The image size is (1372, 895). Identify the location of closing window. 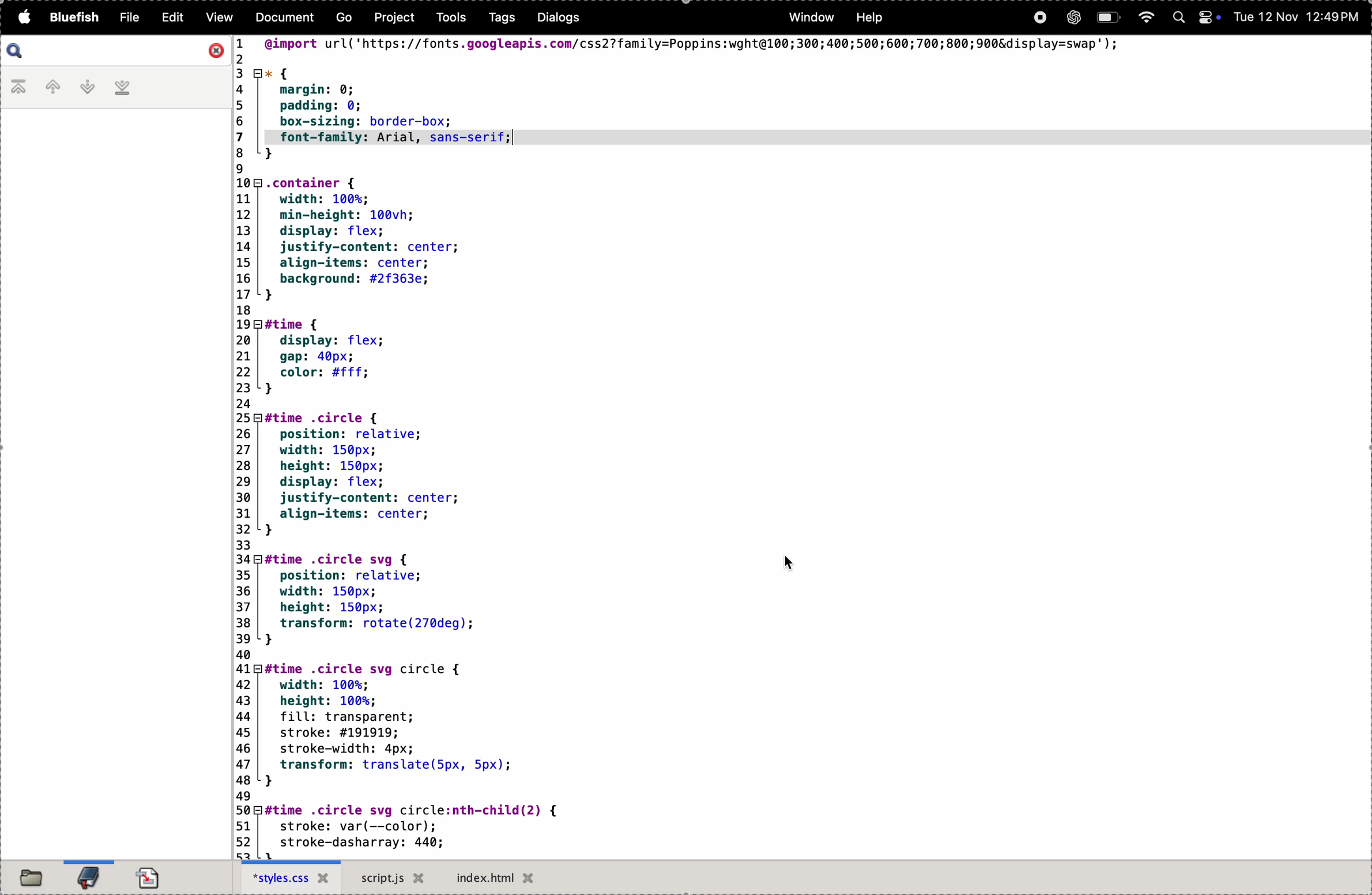
(216, 51).